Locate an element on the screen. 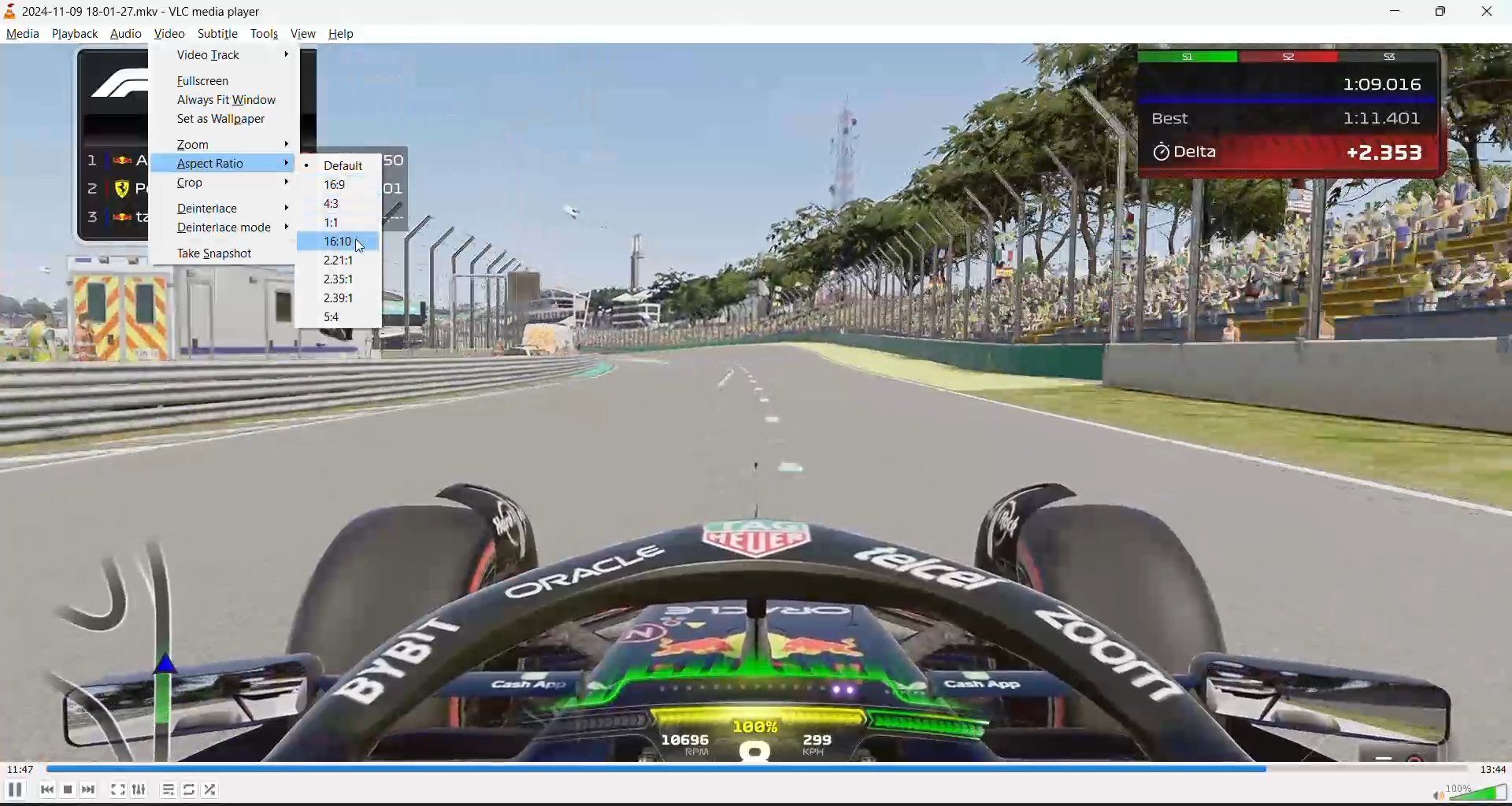 The height and width of the screenshot is (806, 1512). media is located at coordinates (22, 35).